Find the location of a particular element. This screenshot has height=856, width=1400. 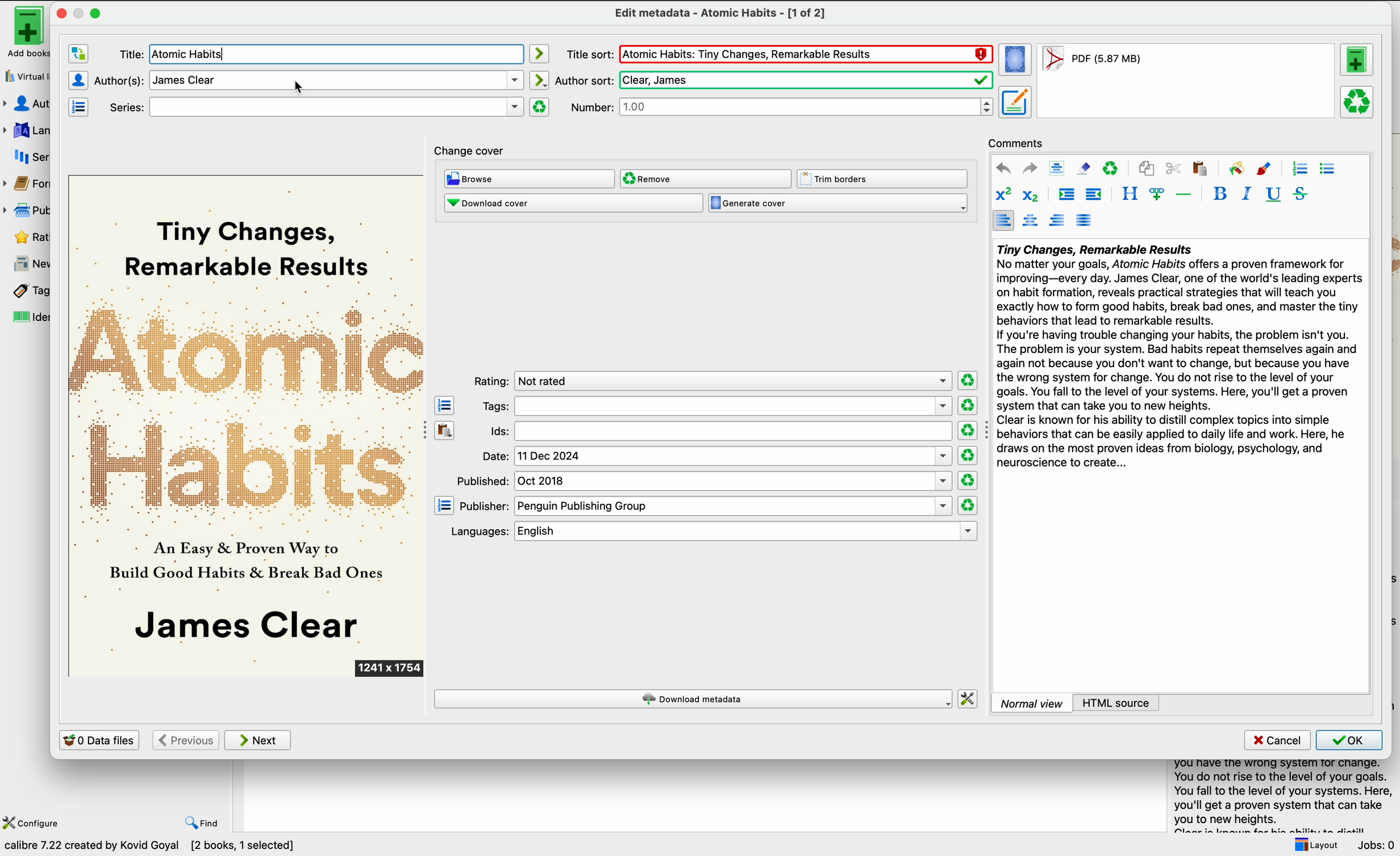

comments is located at coordinates (1016, 142).